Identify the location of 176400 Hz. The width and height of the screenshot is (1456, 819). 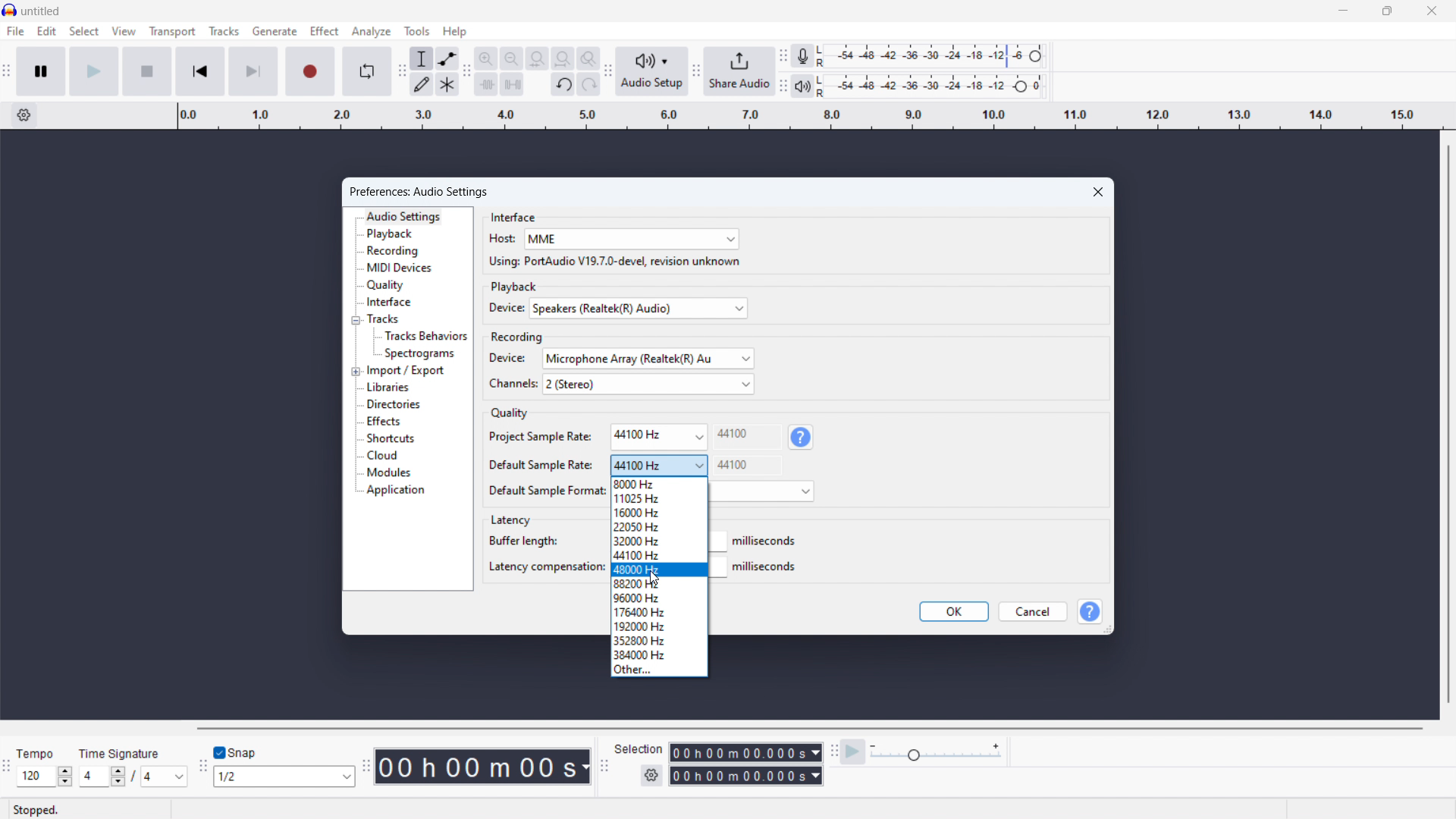
(660, 612).